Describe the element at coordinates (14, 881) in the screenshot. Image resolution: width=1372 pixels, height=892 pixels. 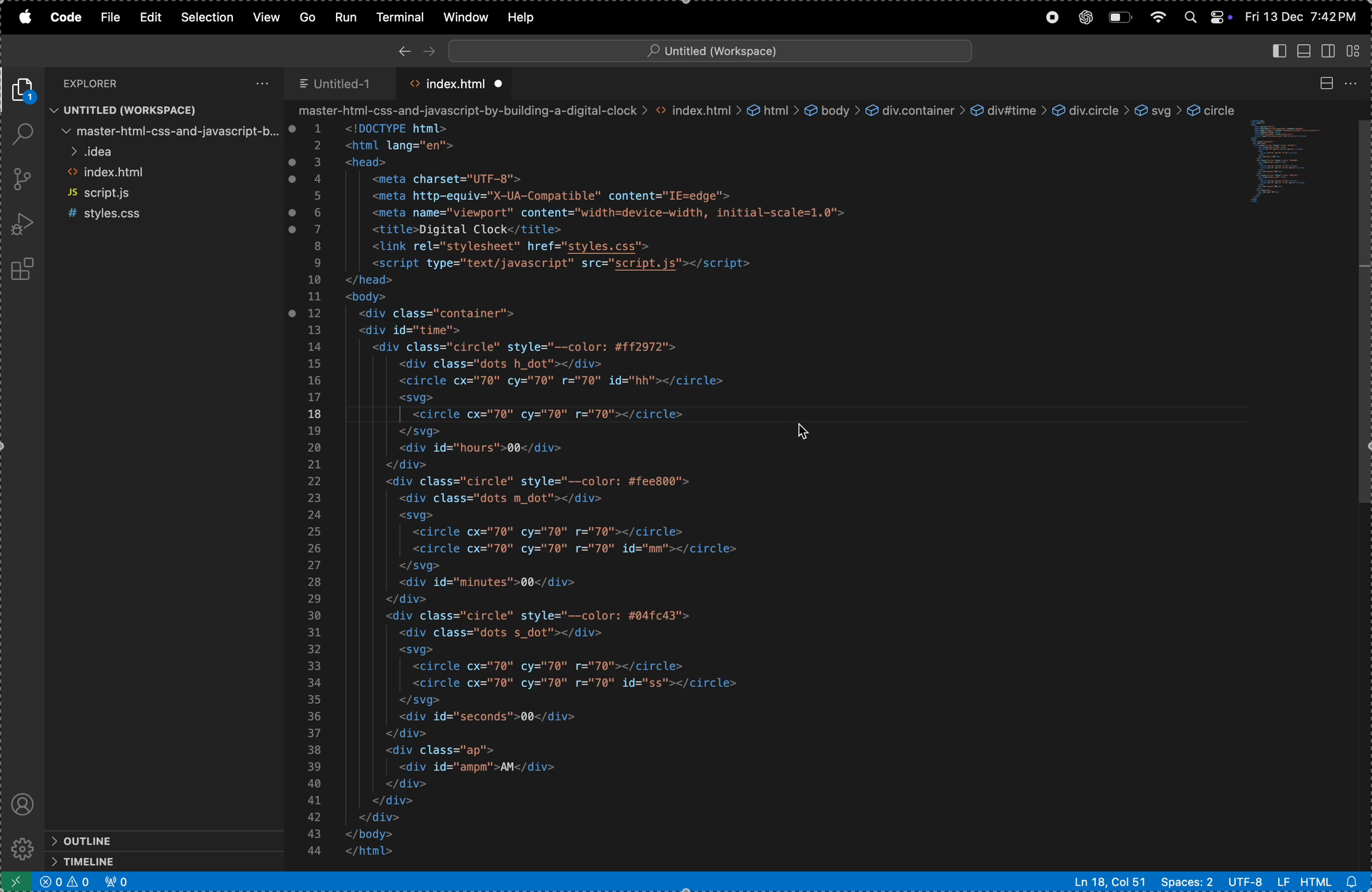
I see `open remote window` at that location.